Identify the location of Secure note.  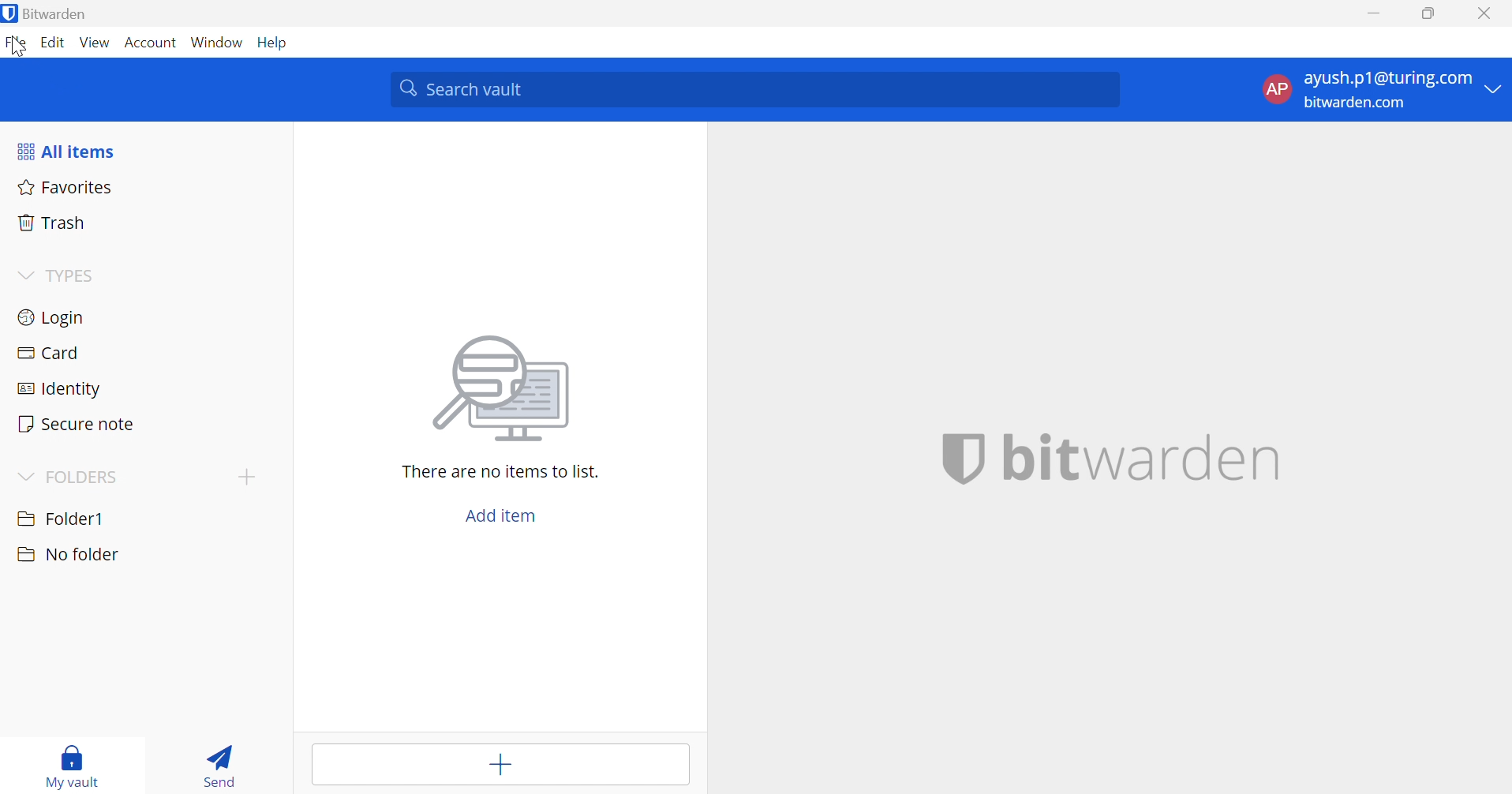
(80, 424).